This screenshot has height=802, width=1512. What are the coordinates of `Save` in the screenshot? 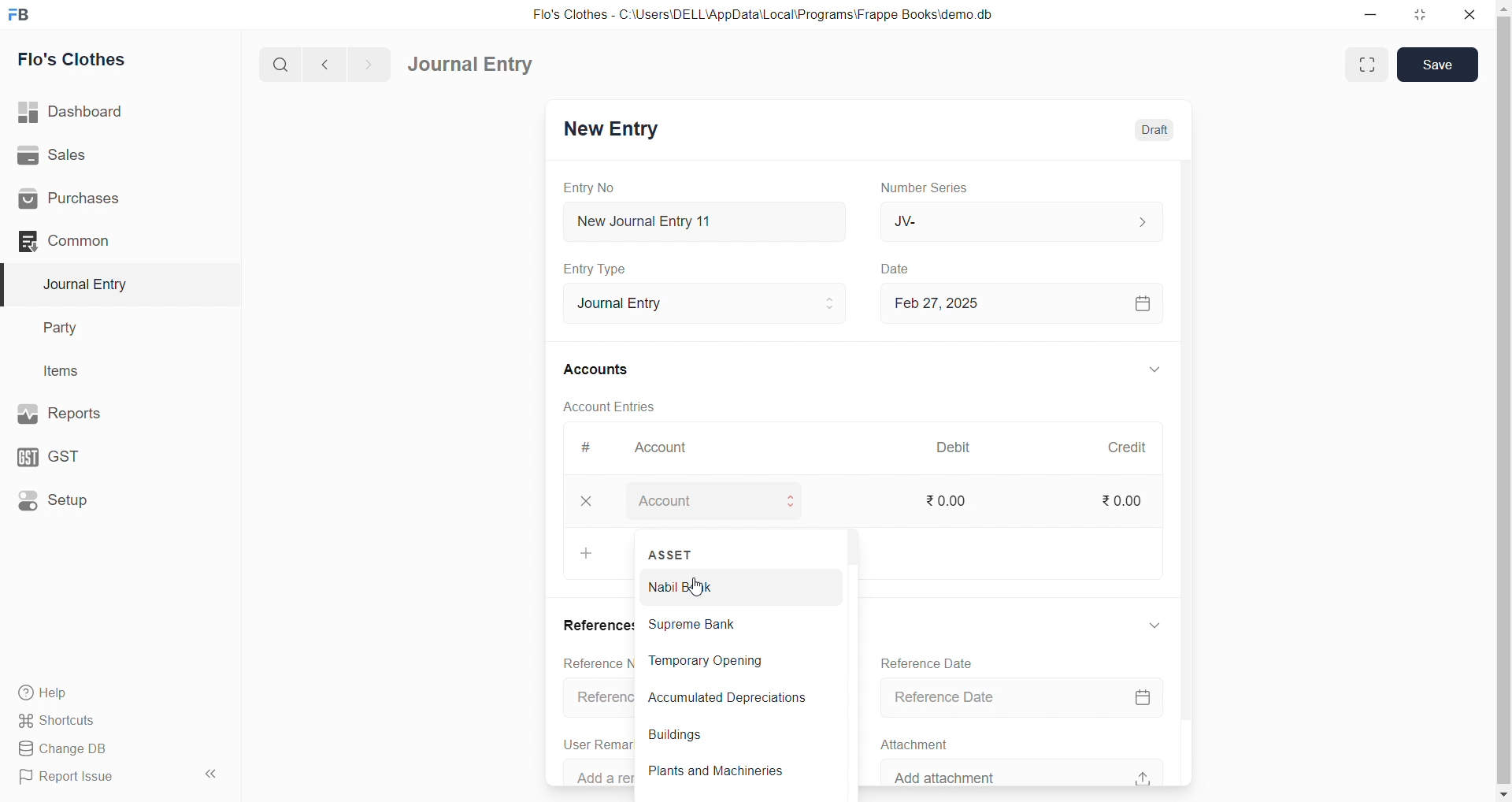 It's located at (1440, 65).